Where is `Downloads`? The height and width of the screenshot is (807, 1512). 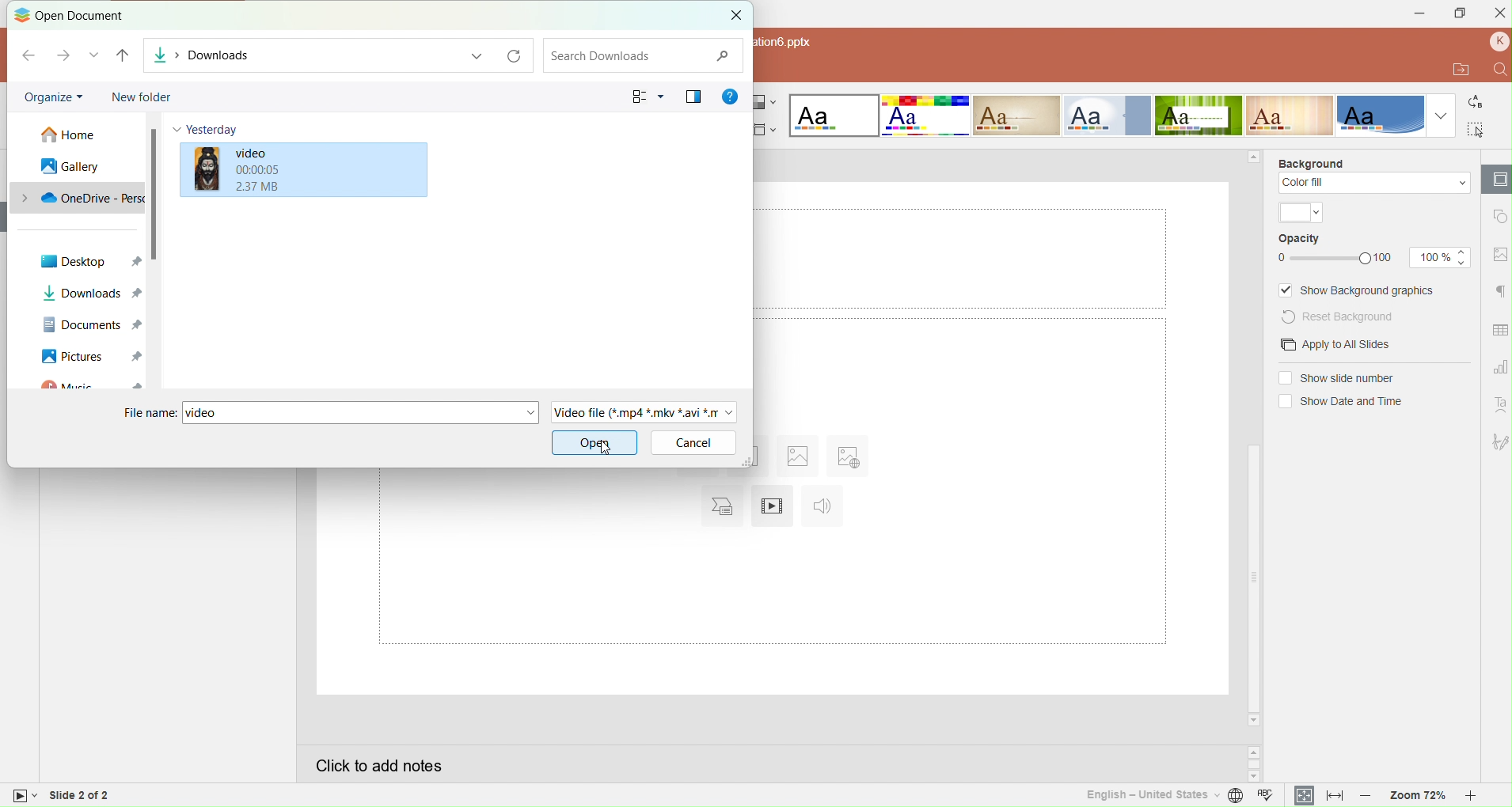 Downloads is located at coordinates (294, 55).